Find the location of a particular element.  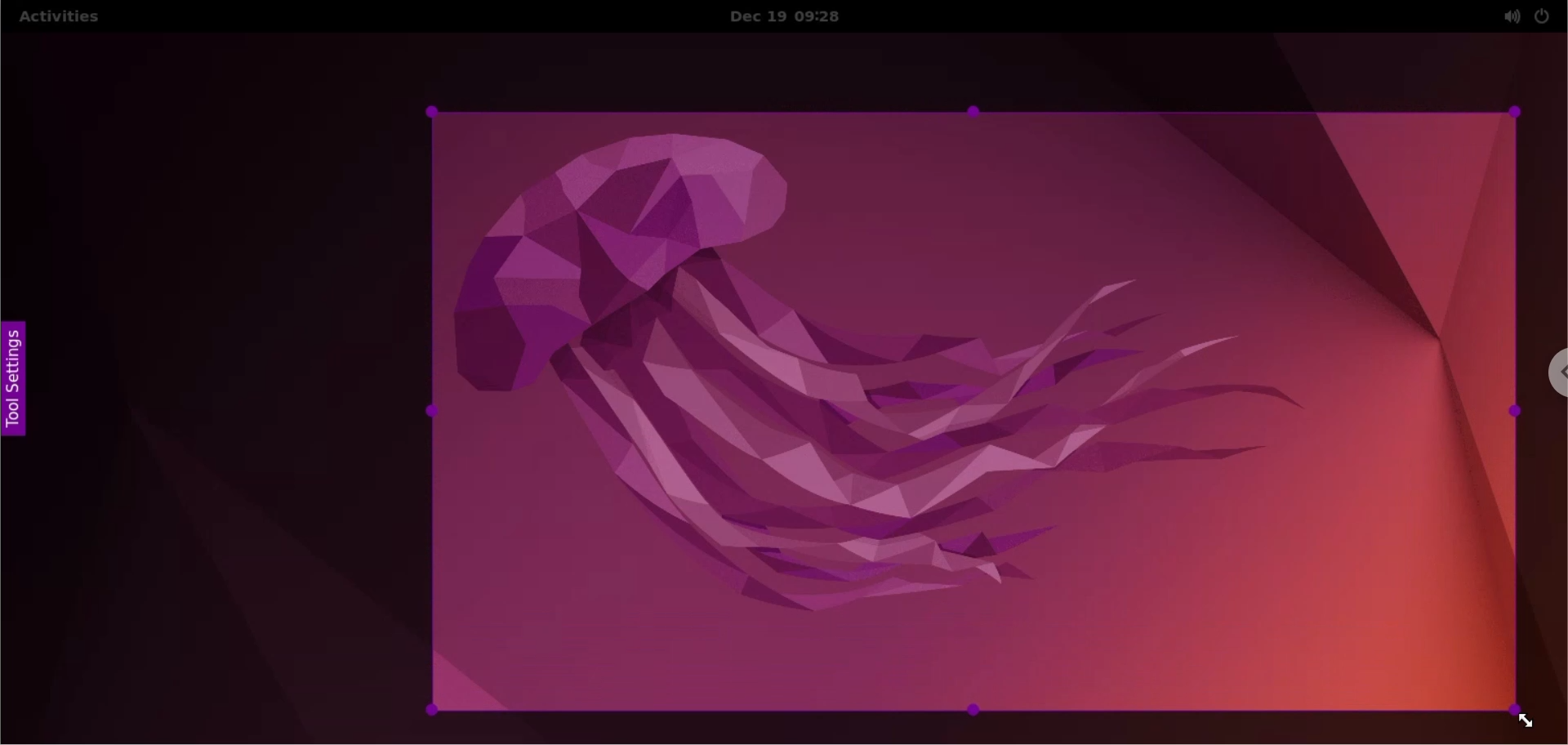

selected area  is located at coordinates (974, 413).